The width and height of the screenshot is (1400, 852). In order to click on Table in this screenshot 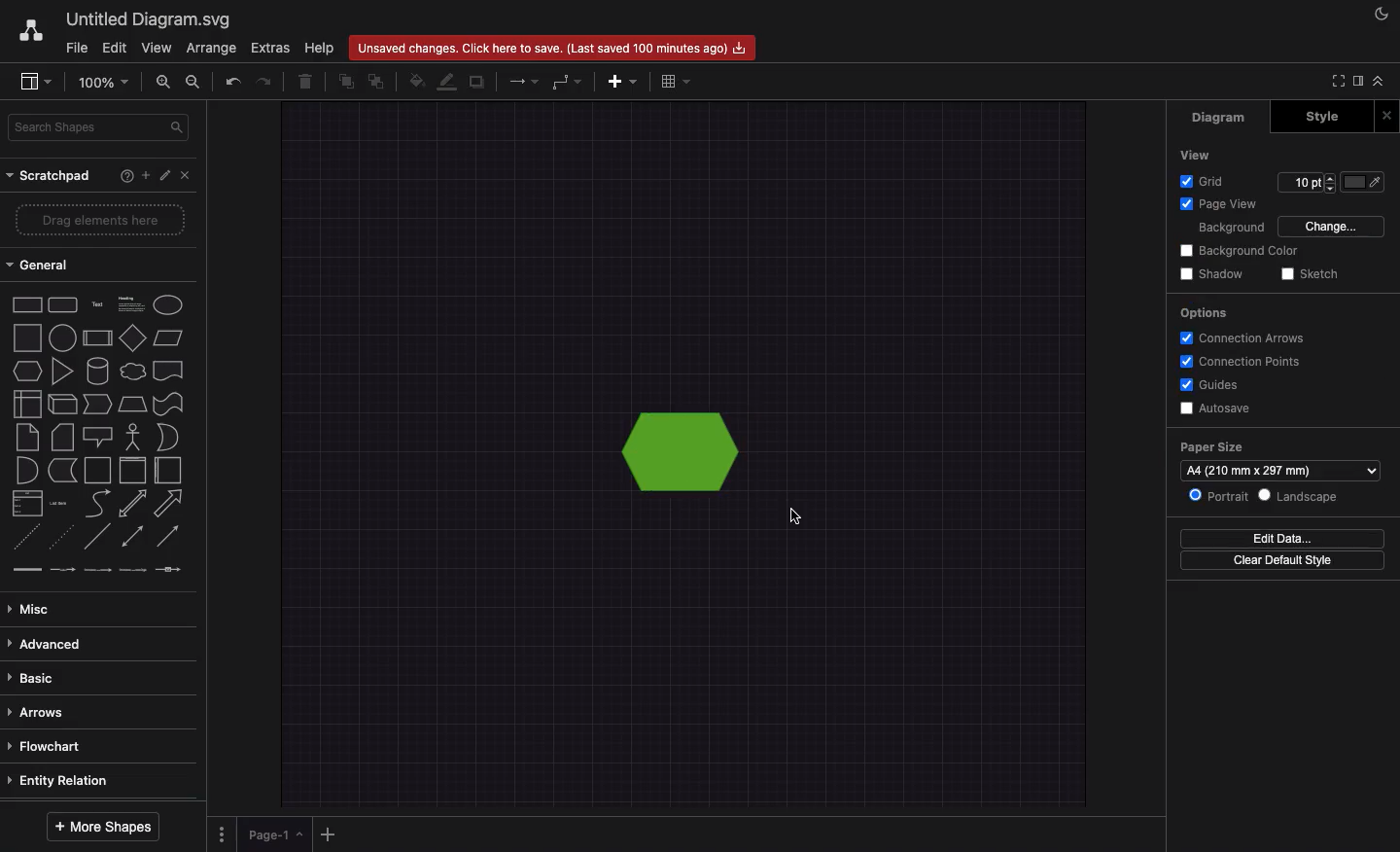, I will do `click(673, 84)`.